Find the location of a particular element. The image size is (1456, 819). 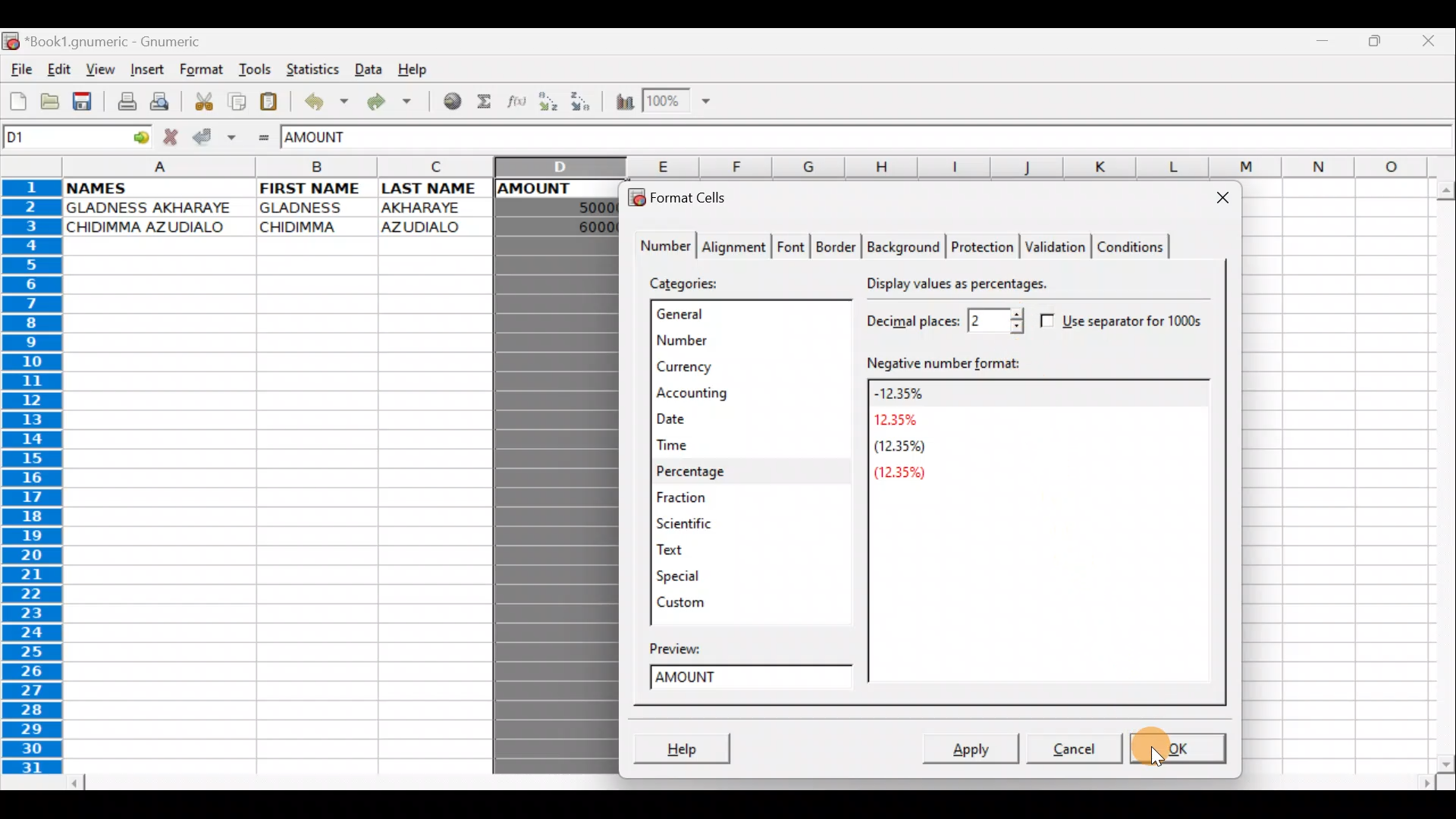

Redo undone action is located at coordinates (386, 102).